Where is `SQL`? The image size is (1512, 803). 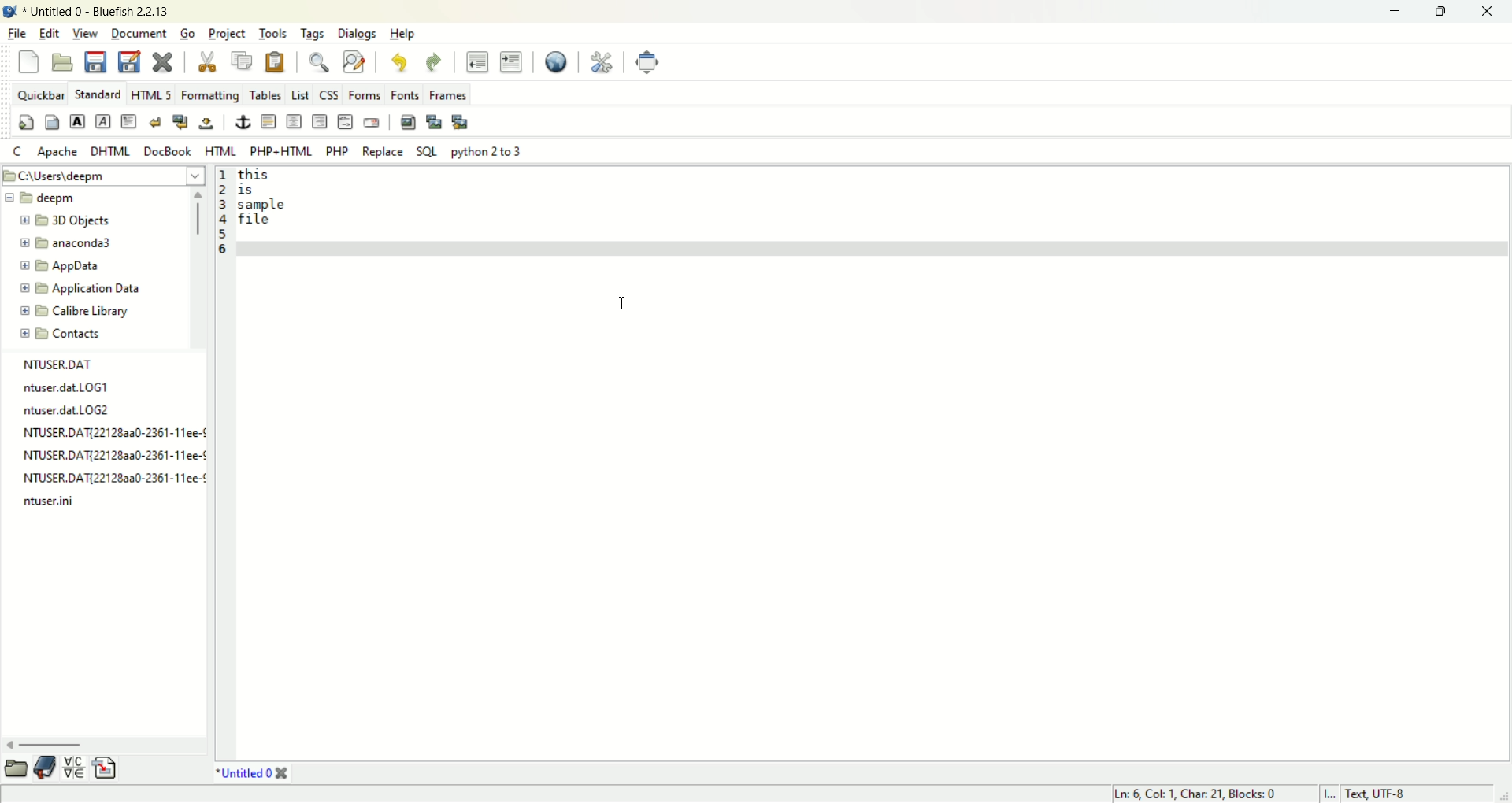 SQL is located at coordinates (428, 153).